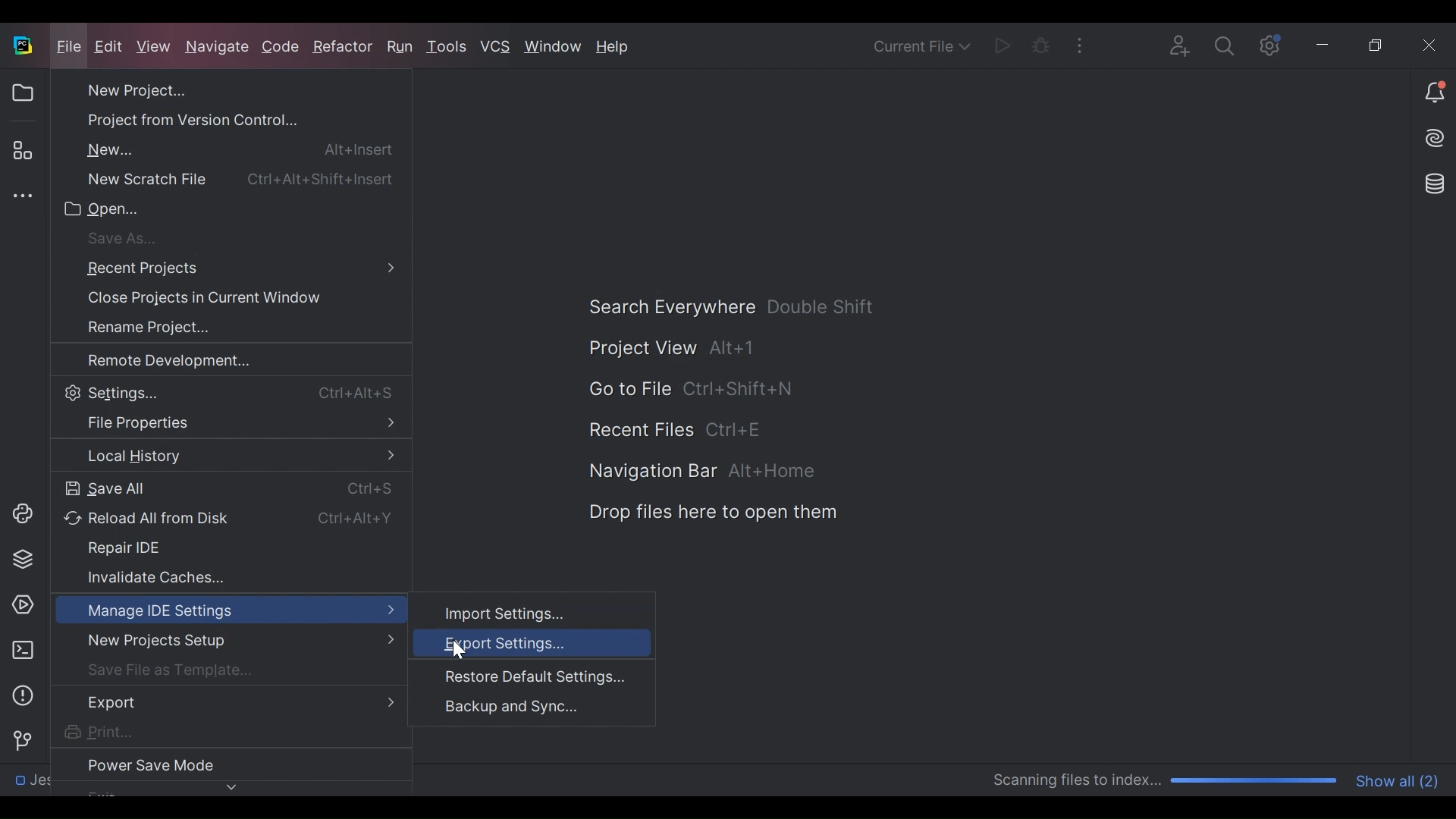 The width and height of the screenshot is (1456, 819). What do you see at coordinates (222, 391) in the screenshot?
I see `Settings` at bounding box center [222, 391].